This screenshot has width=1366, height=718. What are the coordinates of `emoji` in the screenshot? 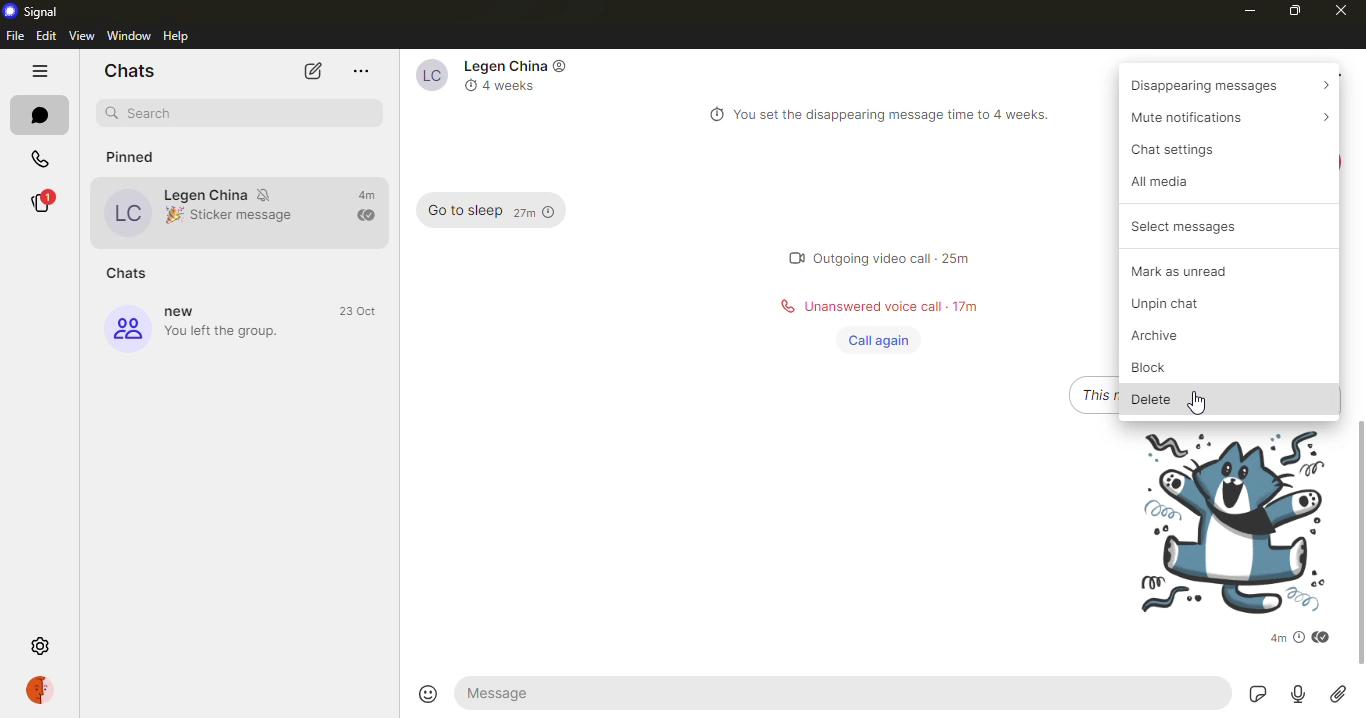 It's located at (423, 694).